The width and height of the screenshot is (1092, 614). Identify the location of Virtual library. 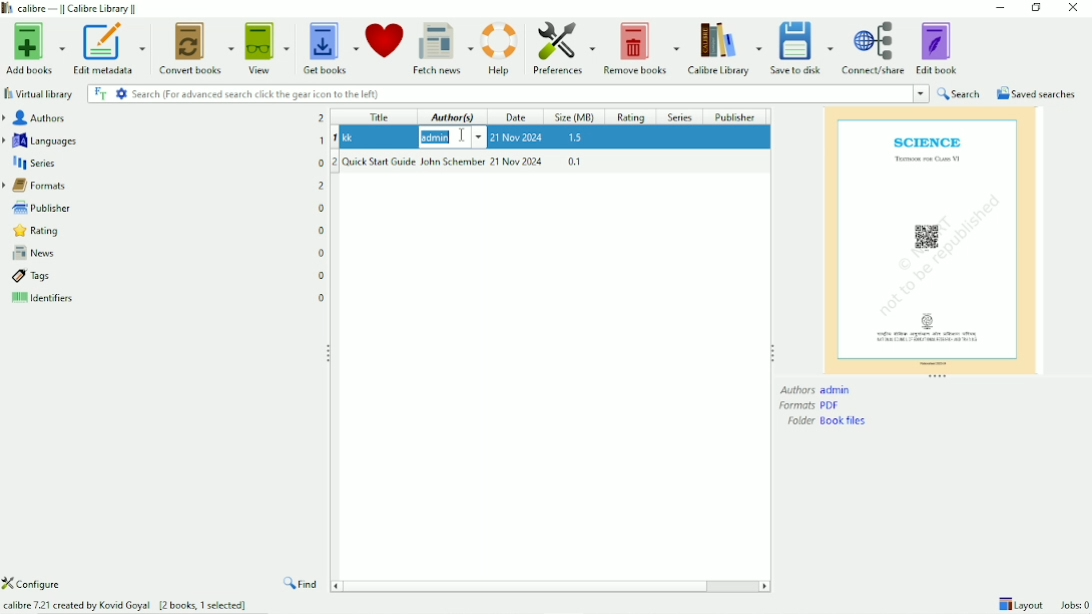
(38, 94).